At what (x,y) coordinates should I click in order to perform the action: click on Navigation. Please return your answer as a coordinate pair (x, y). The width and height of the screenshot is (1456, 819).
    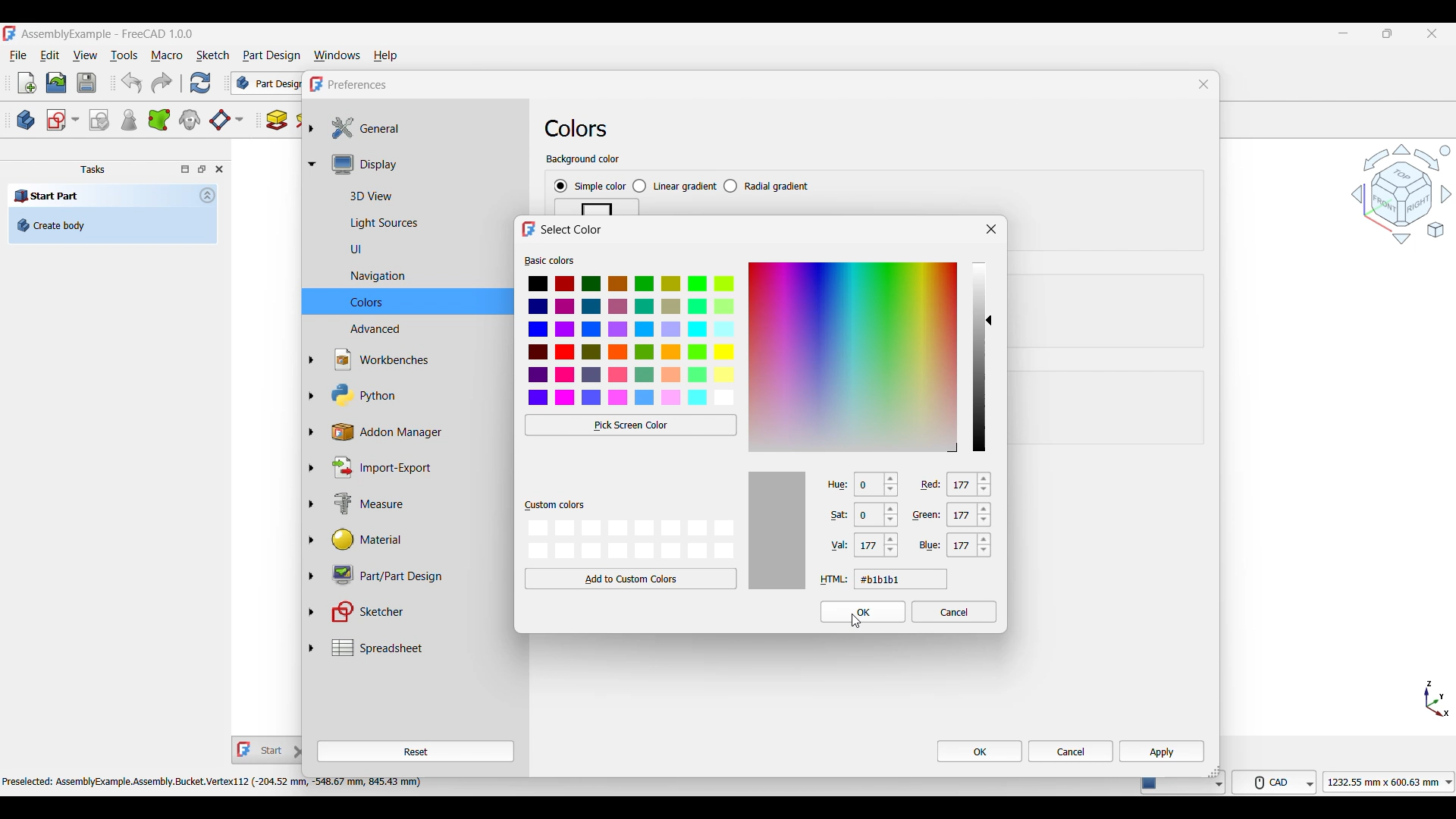
    Looking at the image, I should click on (419, 277).